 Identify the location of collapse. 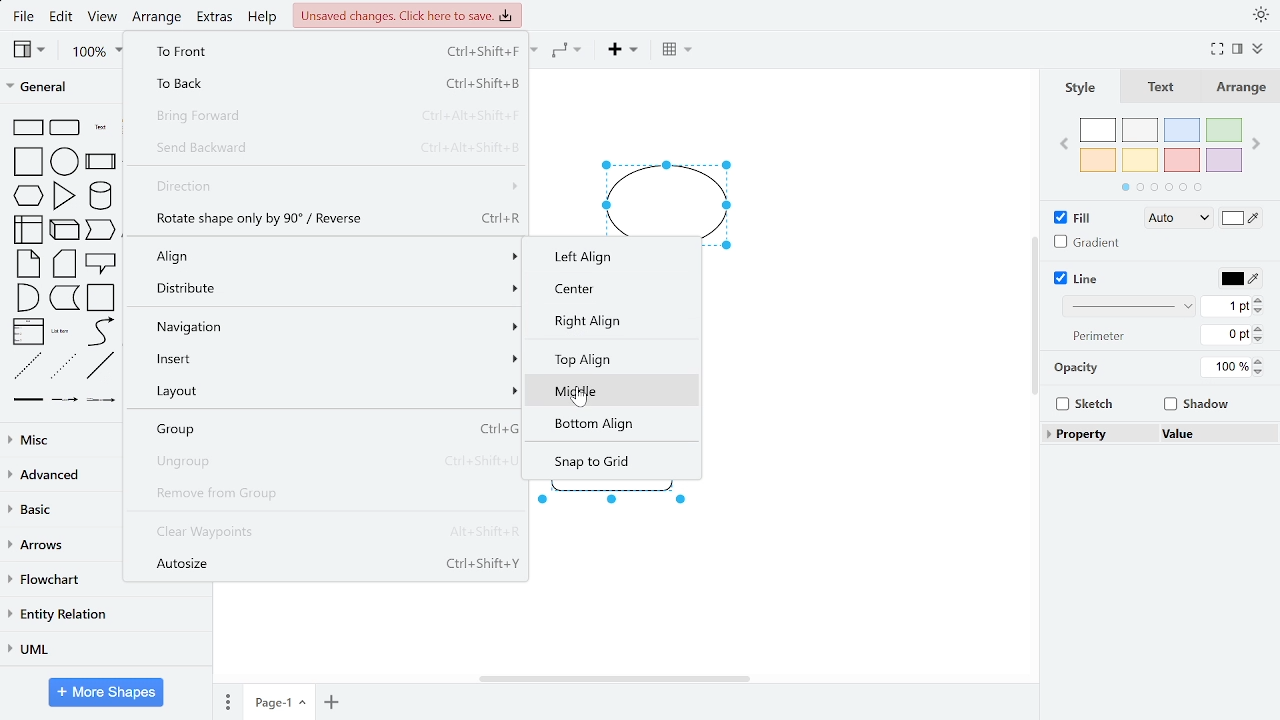
(1258, 49).